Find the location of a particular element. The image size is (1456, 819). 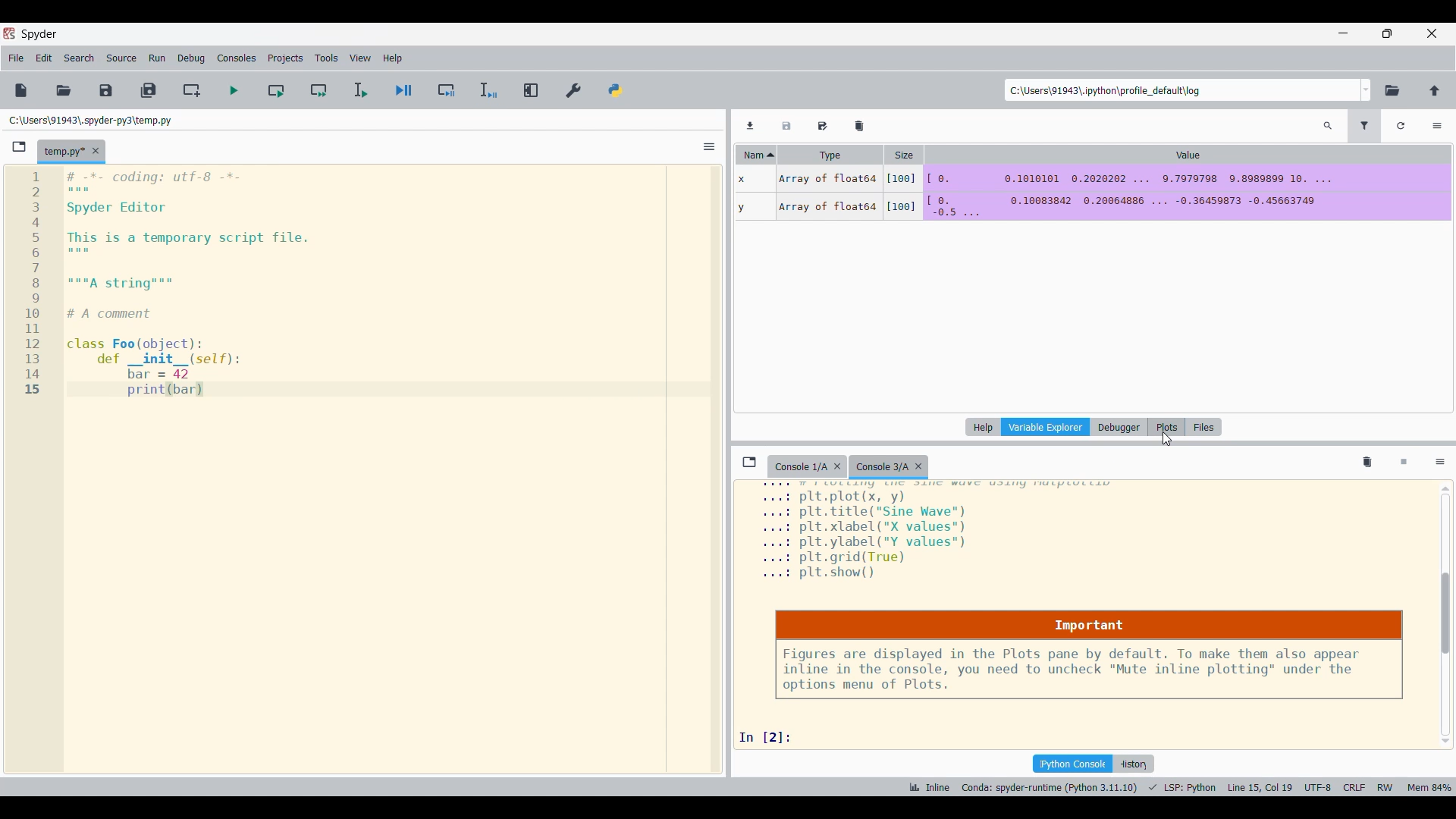

Create new cell at current line is located at coordinates (191, 90).